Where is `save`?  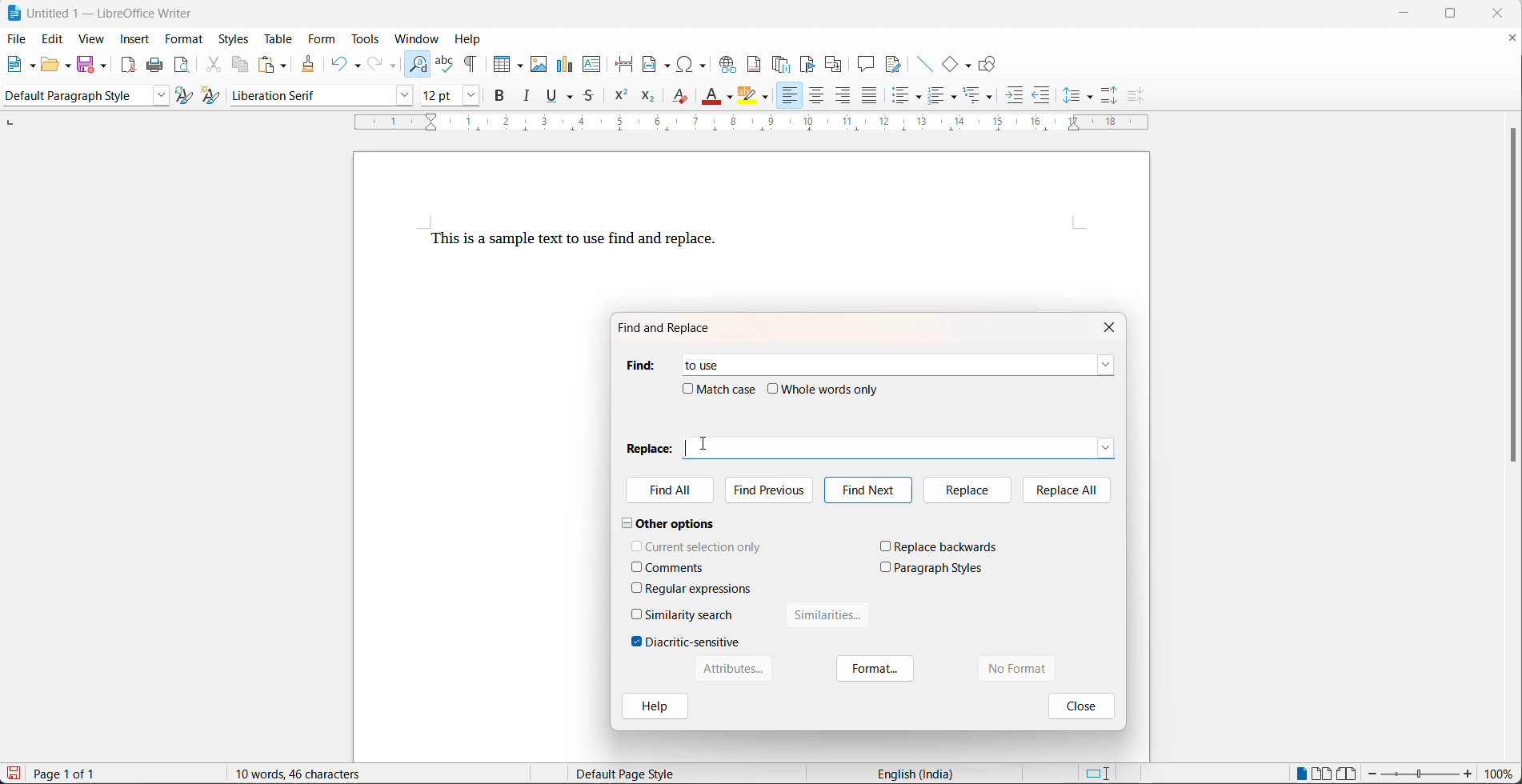
save is located at coordinates (14, 773).